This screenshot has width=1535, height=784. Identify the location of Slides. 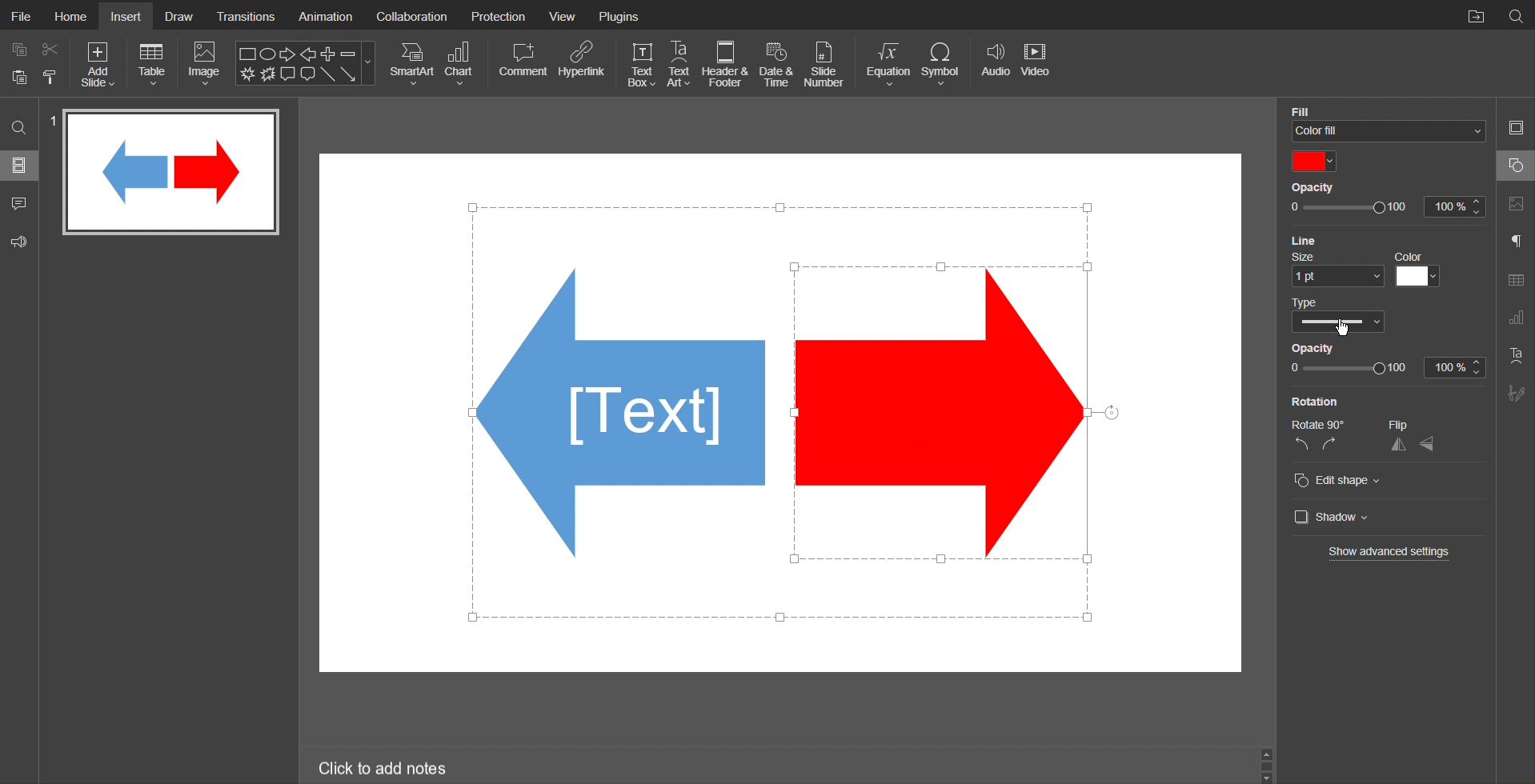
(20, 167).